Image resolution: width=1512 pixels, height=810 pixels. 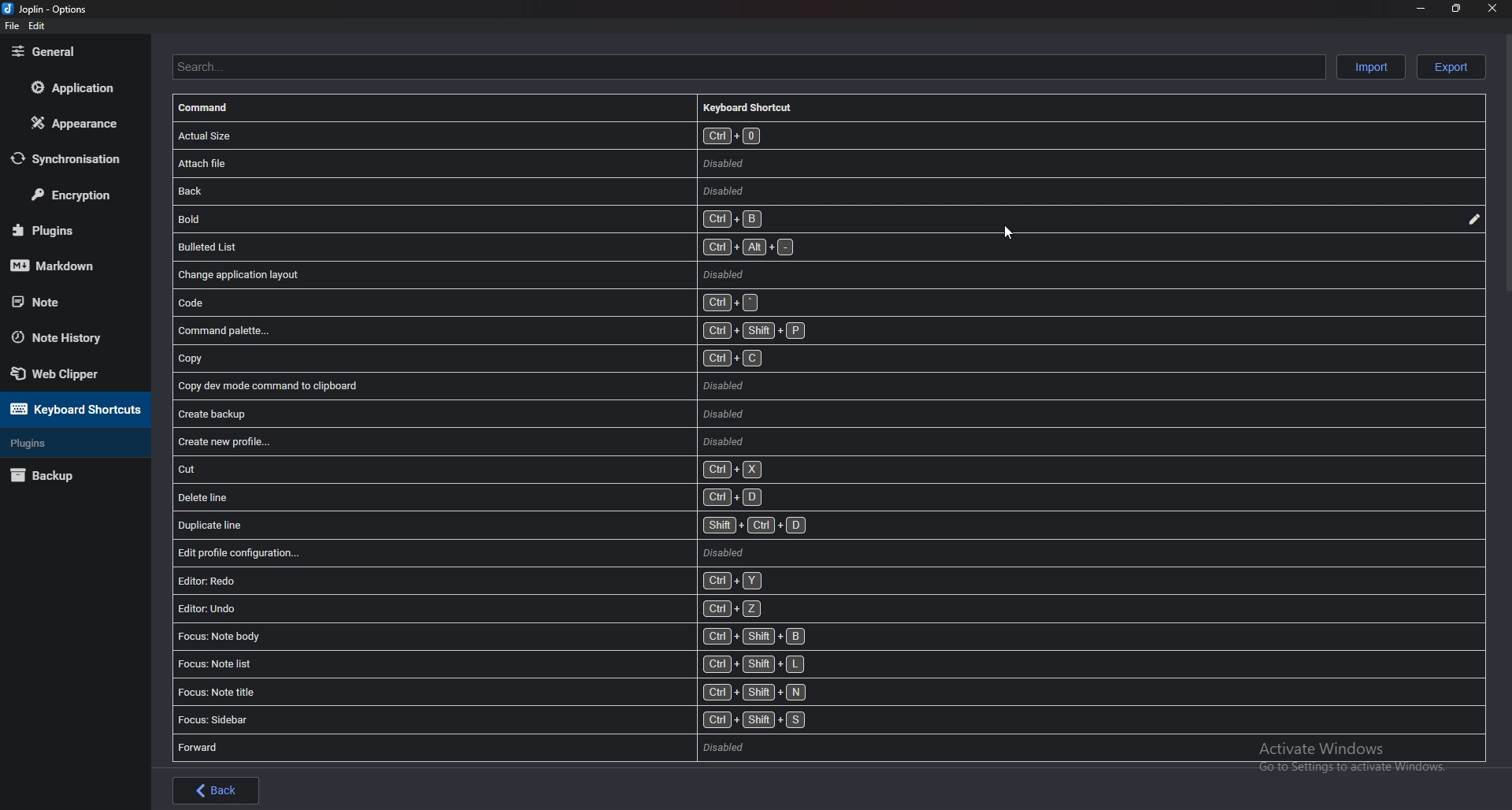 I want to click on Web clipper, so click(x=74, y=373).